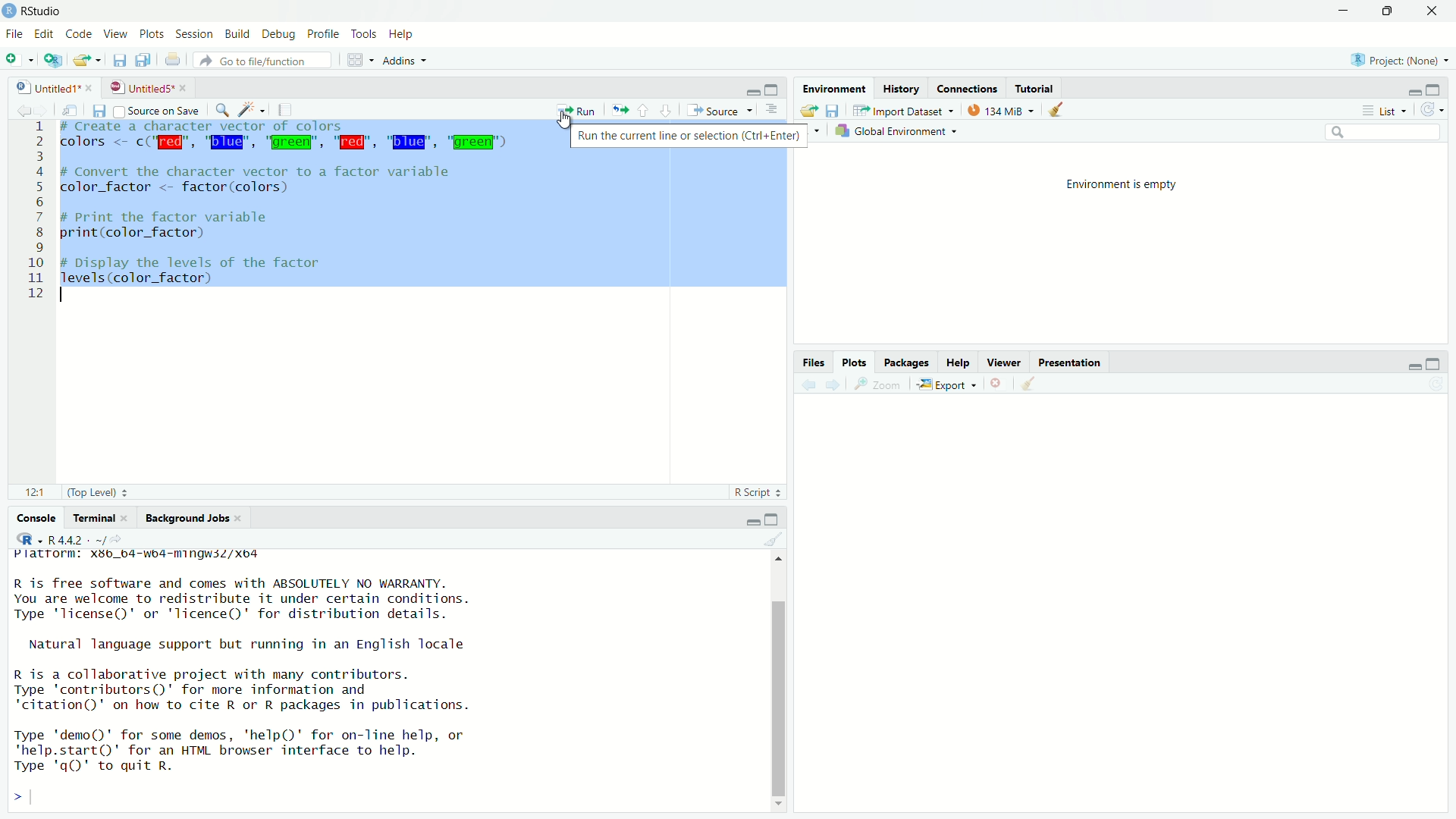 The width and height of the screenshot is (1456, 819). What do you see at coordinates (781, 685) in the screenshot?
I see `scrollbar` at bounding box center [781, 685].